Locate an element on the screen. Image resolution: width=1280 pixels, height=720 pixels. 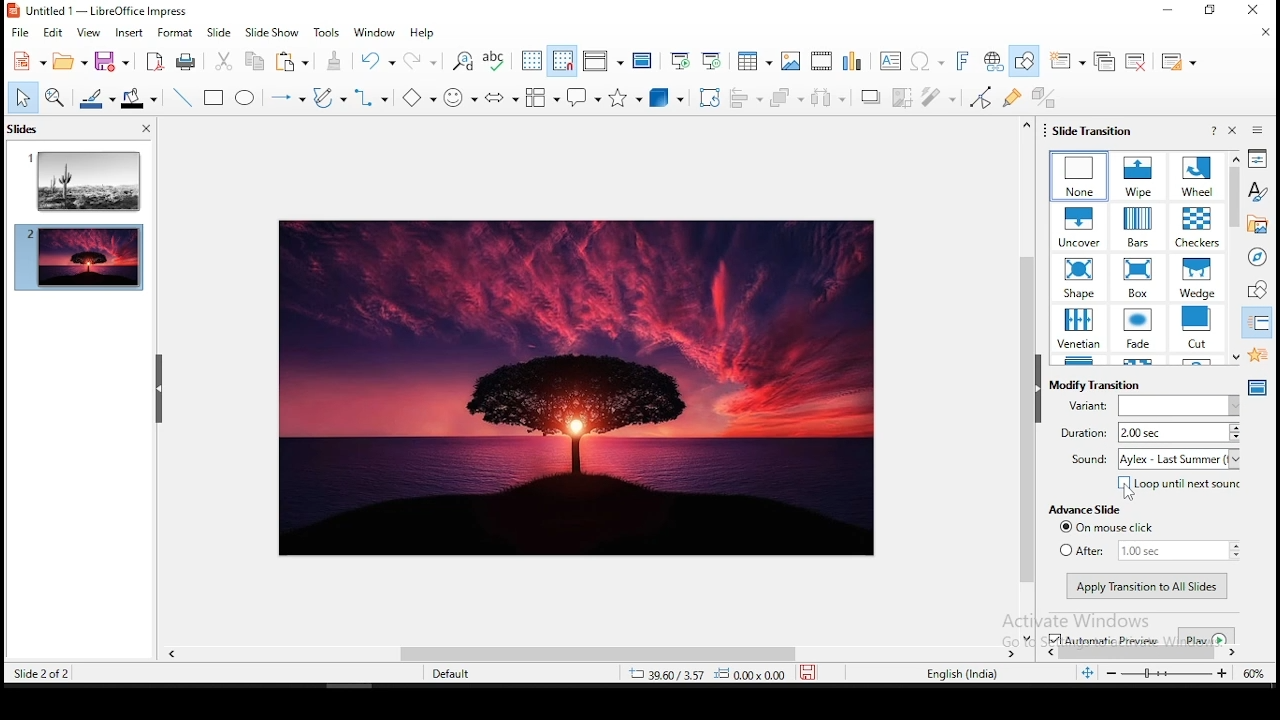
advance slide is located at coordinates (1085, 509).